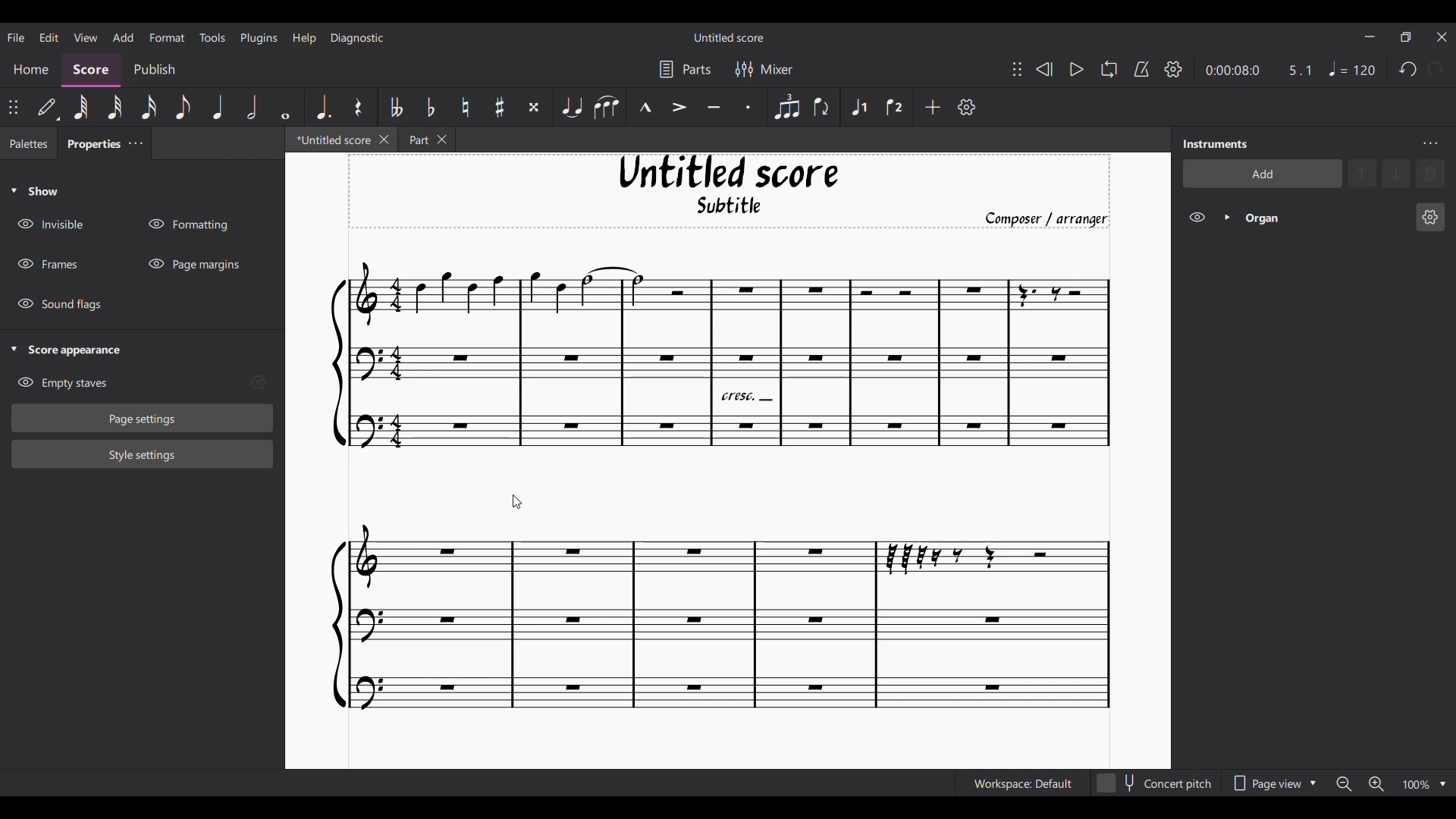 The height and width of the screenshot is (819, 1456). Describe the element at coordinates (14, 107) in the screenshot. I see `Change position of toolbar attached` at that location.